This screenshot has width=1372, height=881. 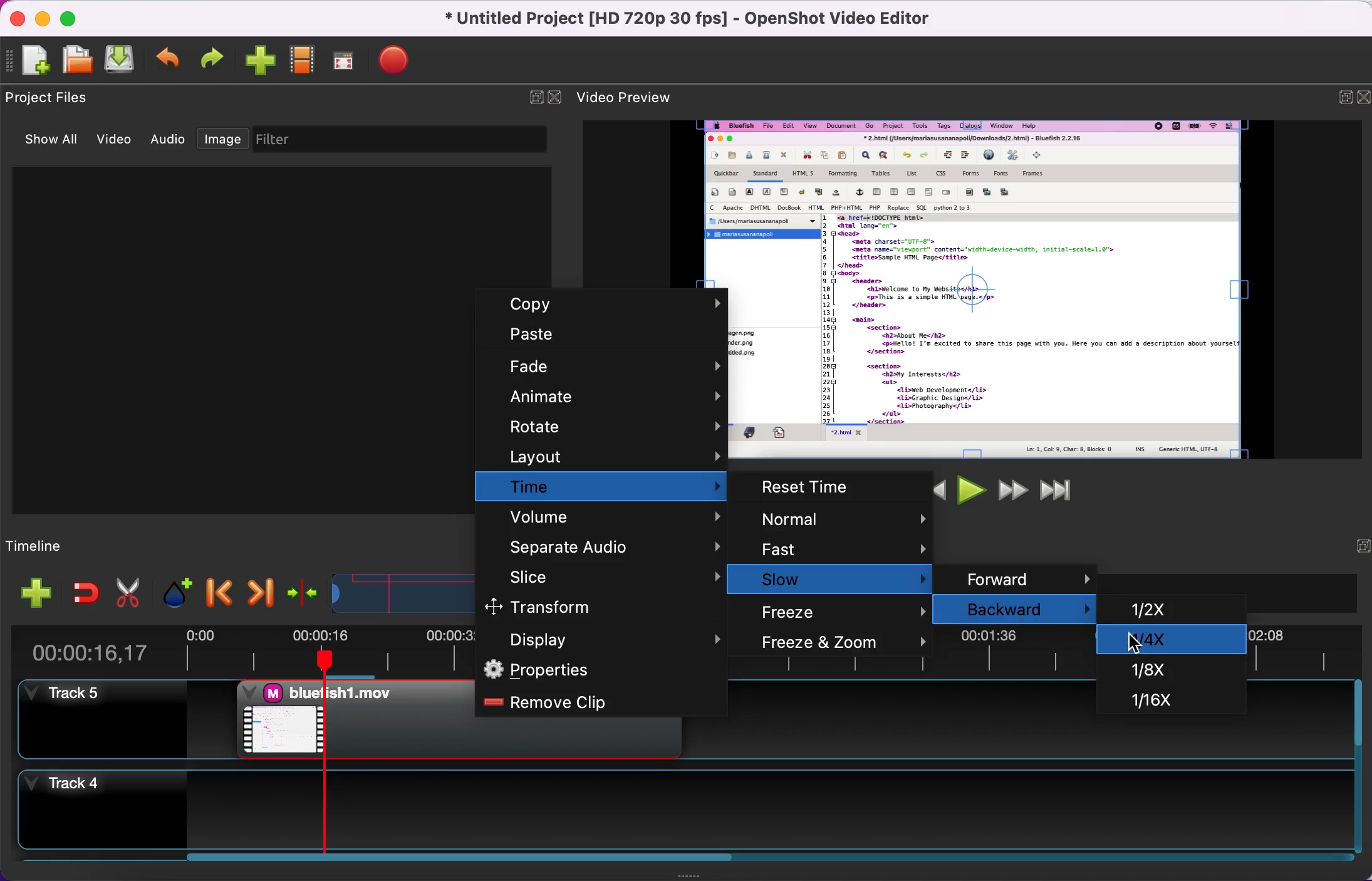 What do you see at coordinates (530, 97) in the screenshot?
I see `expand/hide` at bounding box center [530, 97].